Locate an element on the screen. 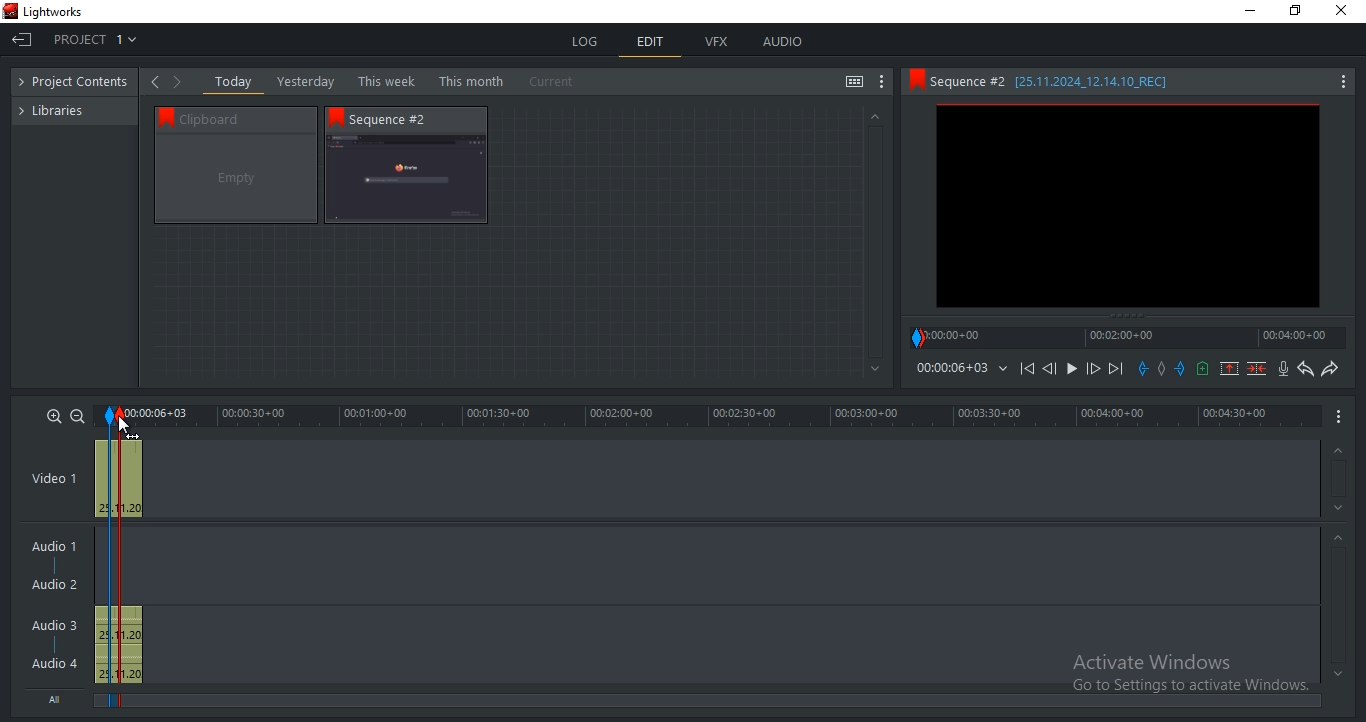  Sequence #2 is located at coordinates (399, 119).